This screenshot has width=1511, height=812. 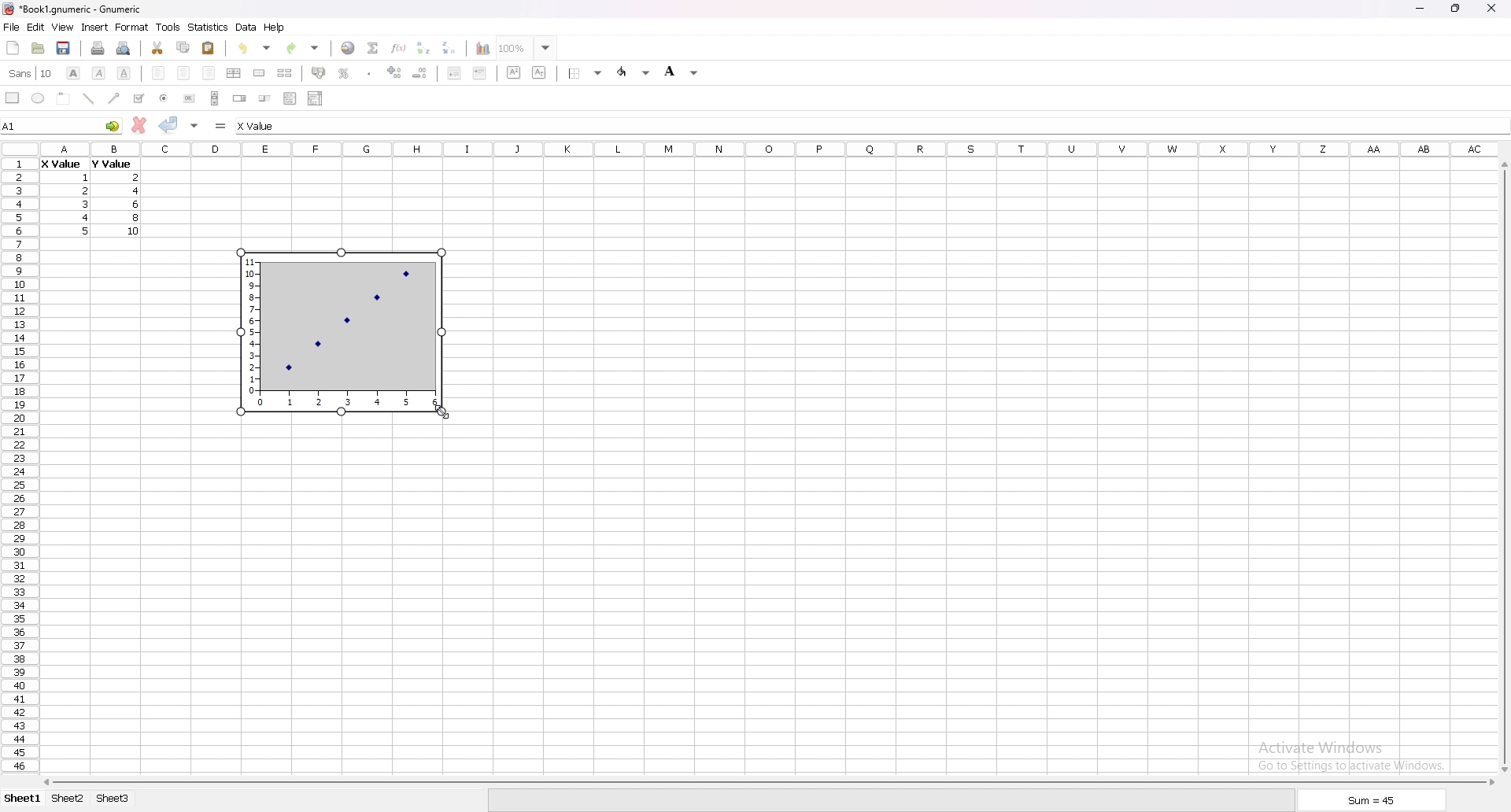 I want to click on spin button, so click(x=240, y=98).